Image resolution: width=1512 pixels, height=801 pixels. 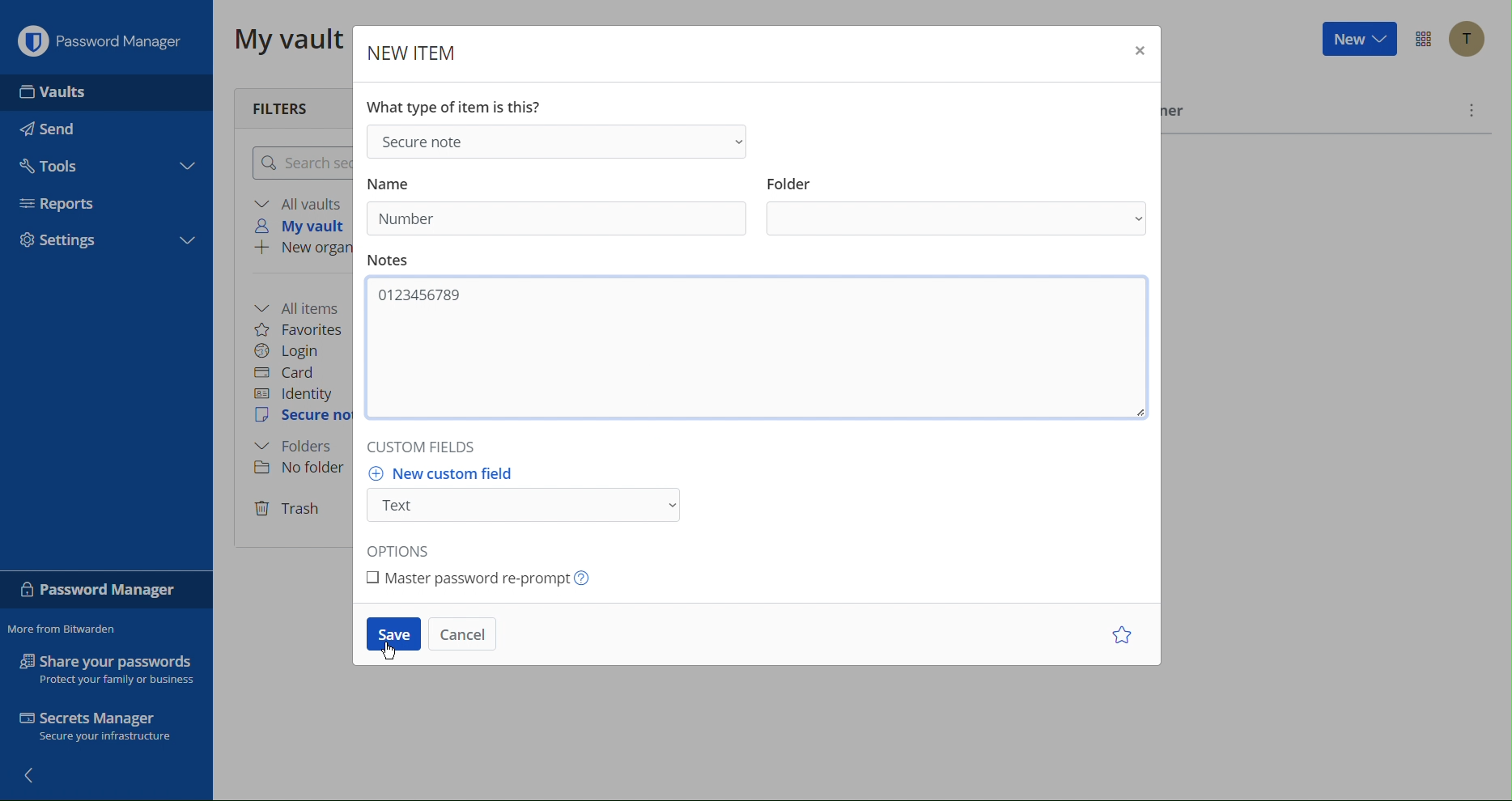 What do you see at coordinates (297, 393) in the screenshot?
I see `Identity` at bounding box center [297, 393].